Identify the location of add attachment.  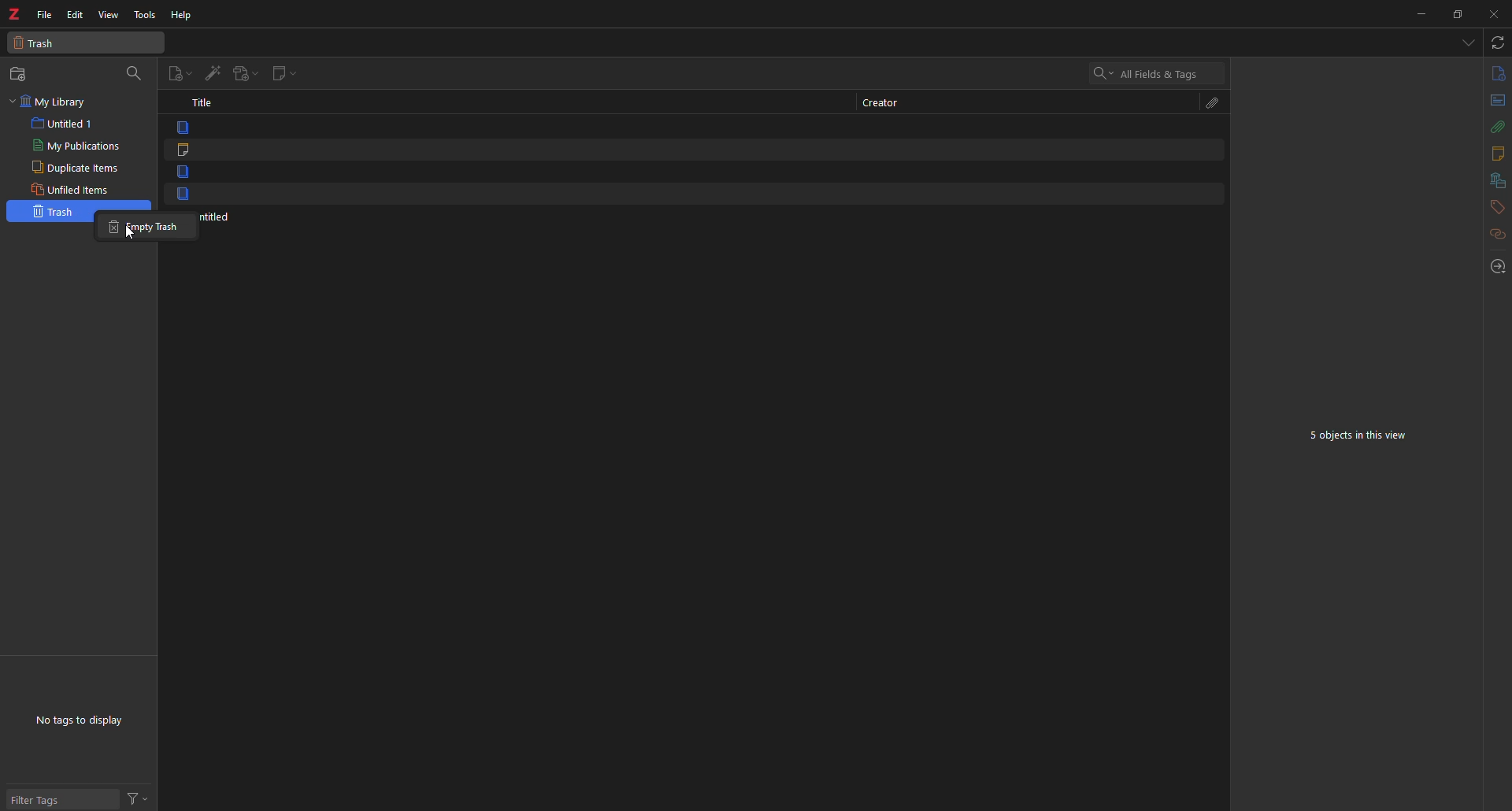
(243, 73).